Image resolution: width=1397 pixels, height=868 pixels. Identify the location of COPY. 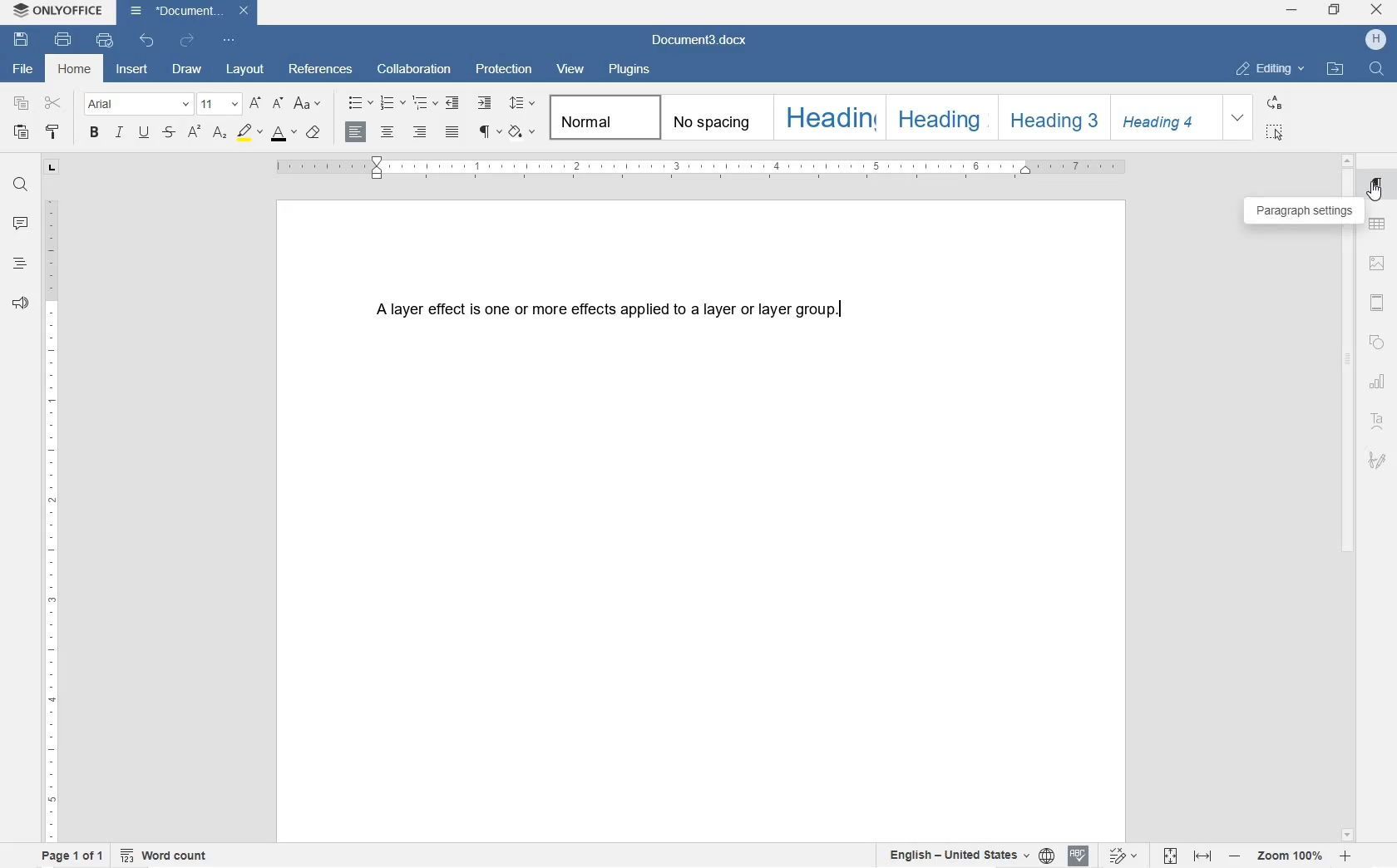
(21, 106).